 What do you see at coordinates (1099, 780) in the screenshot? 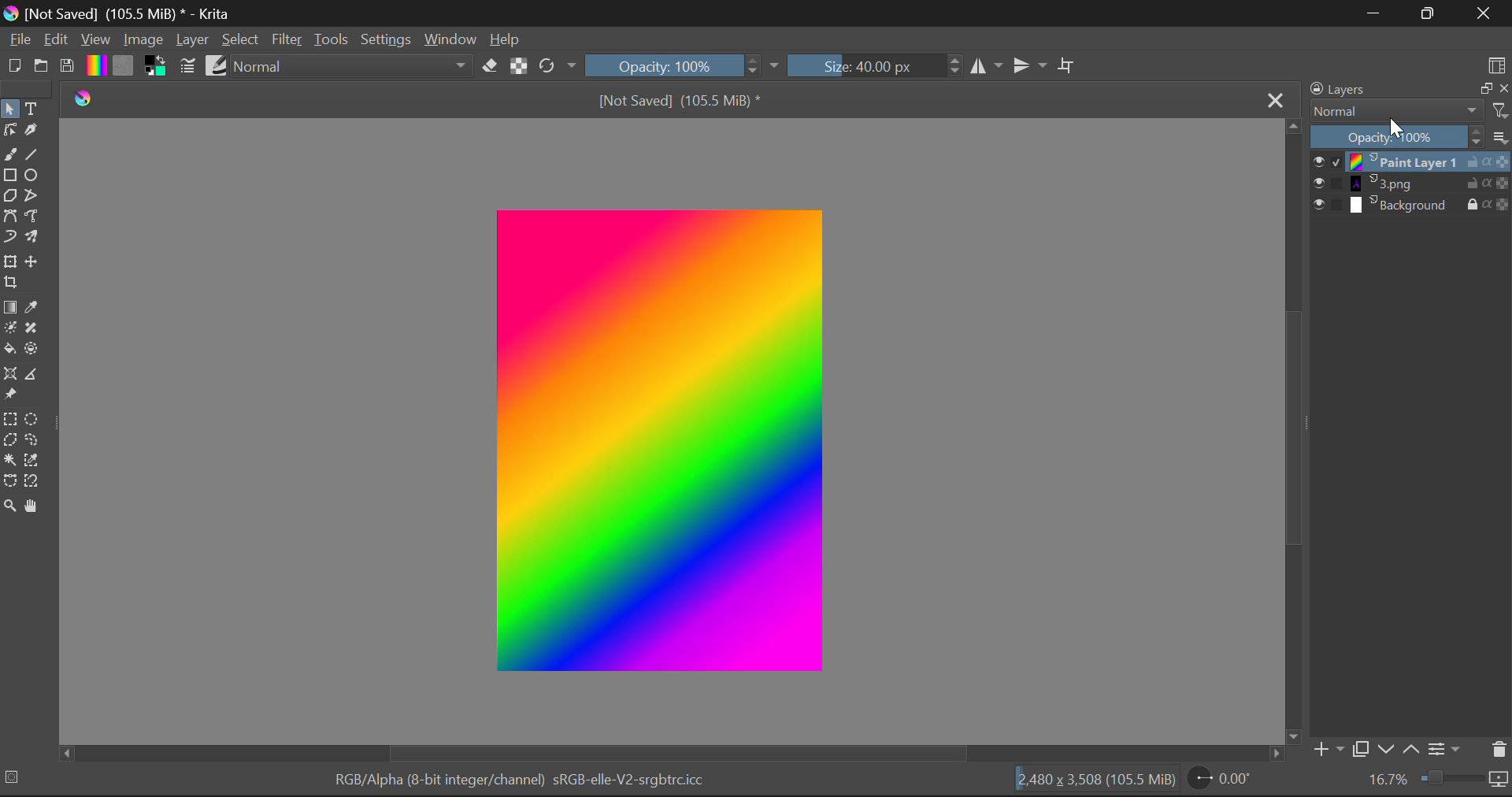
I see `12,480 x 3,508 (105.5 MiB)` at bounding box center [1099, 780].